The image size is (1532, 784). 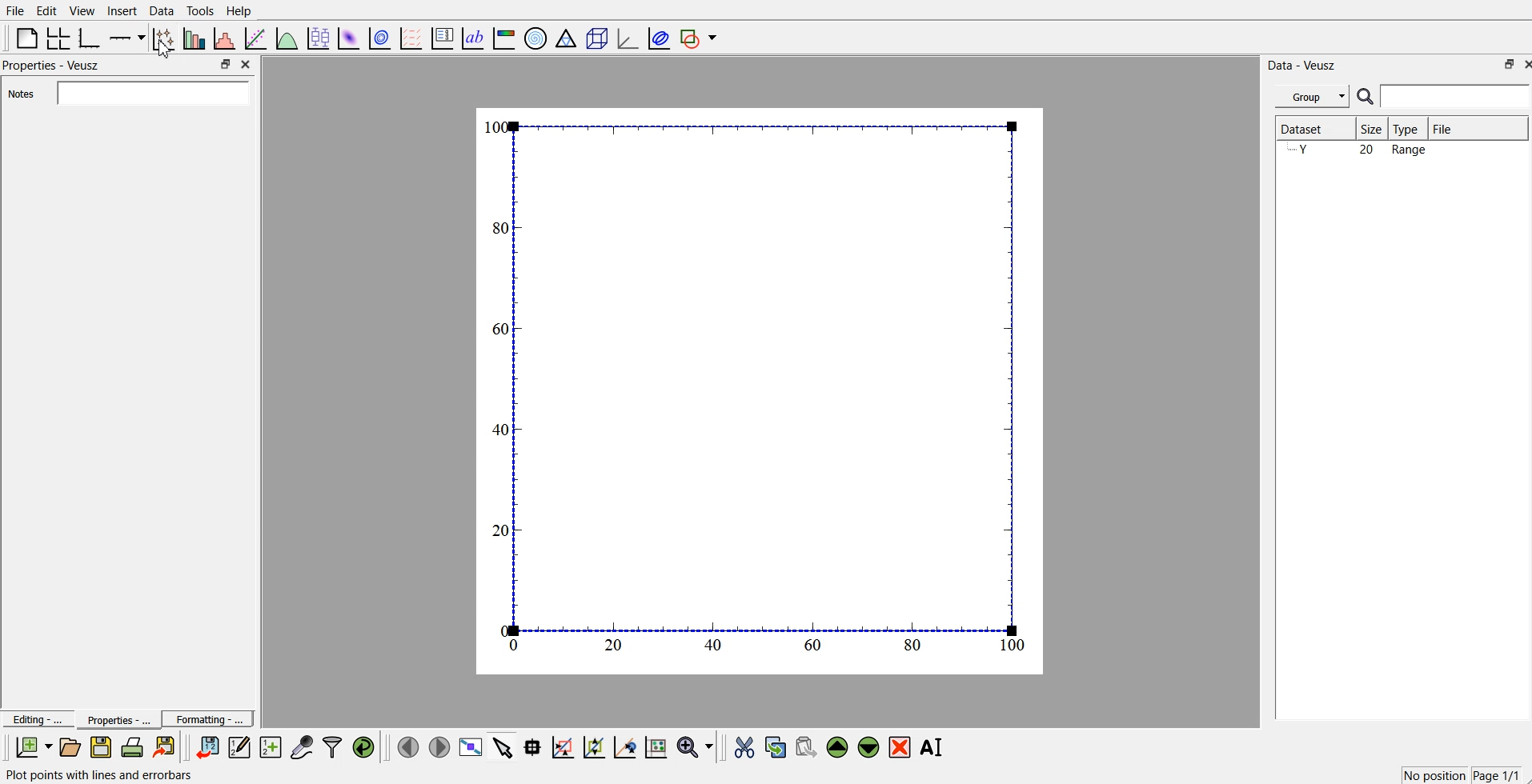 I want to click on Min/Max, so click(x=1507, y=64).